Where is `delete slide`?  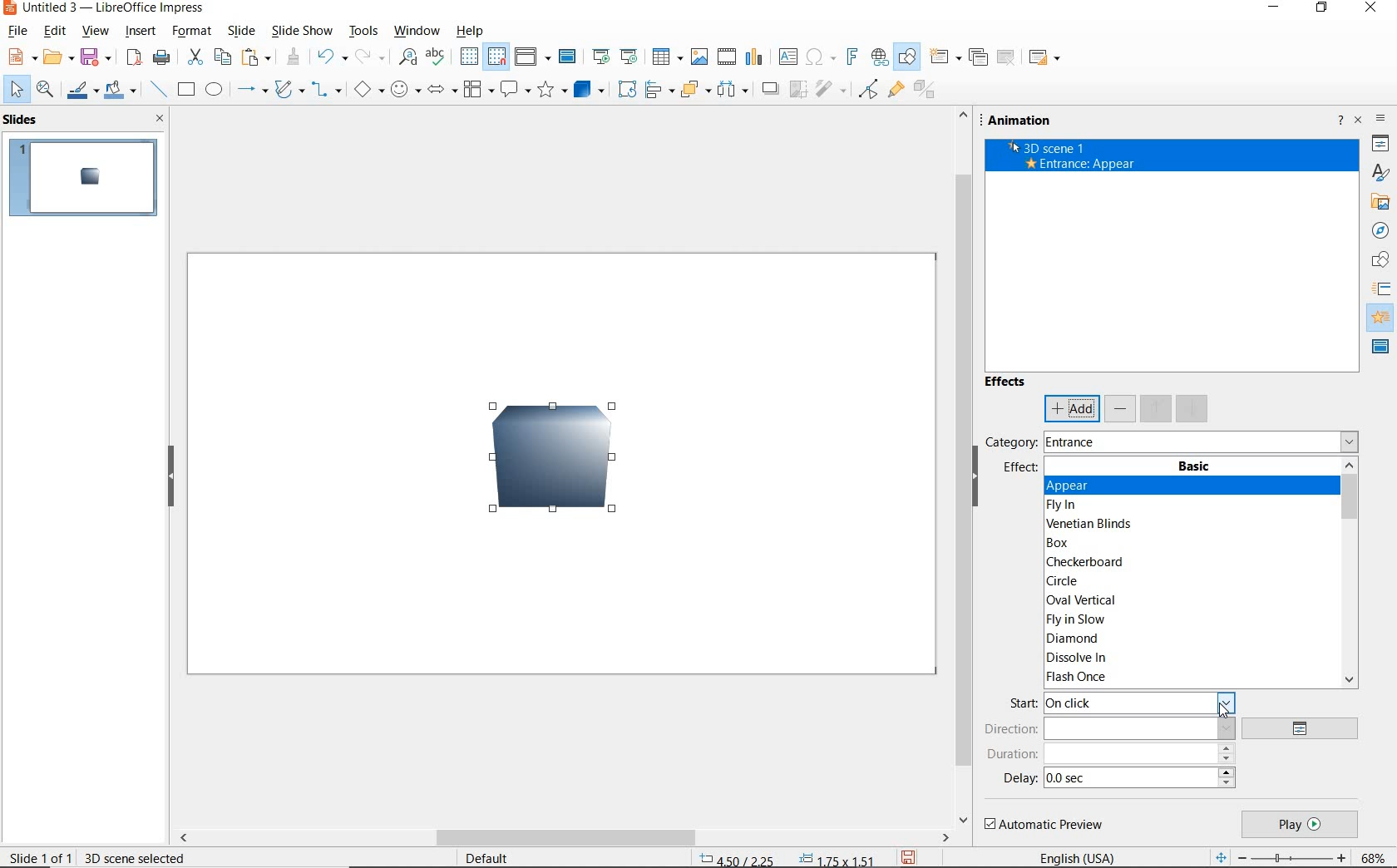 delete slide is located at coordinates (1007, 57).